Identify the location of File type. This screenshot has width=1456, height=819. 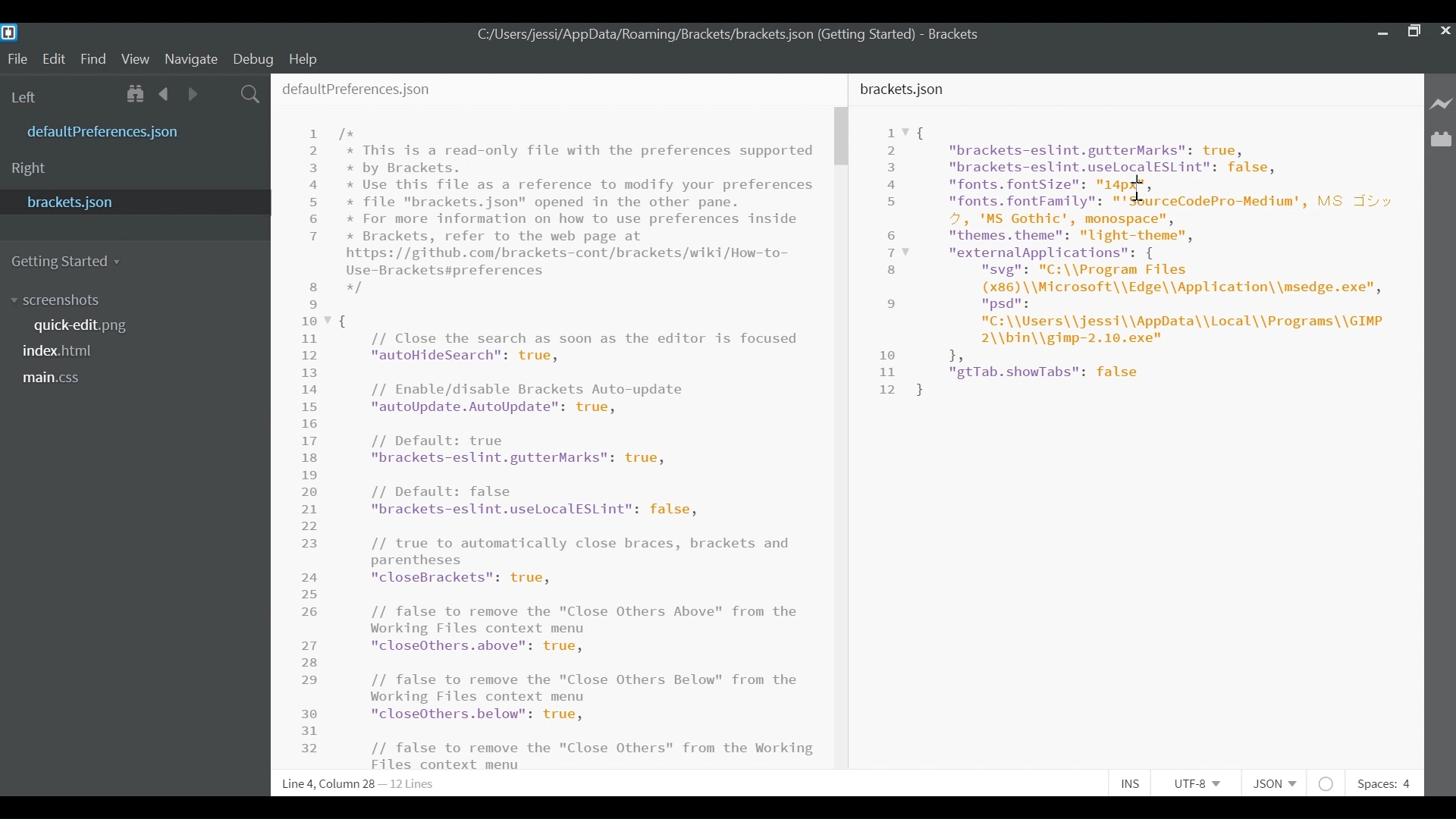
(1272, 784).